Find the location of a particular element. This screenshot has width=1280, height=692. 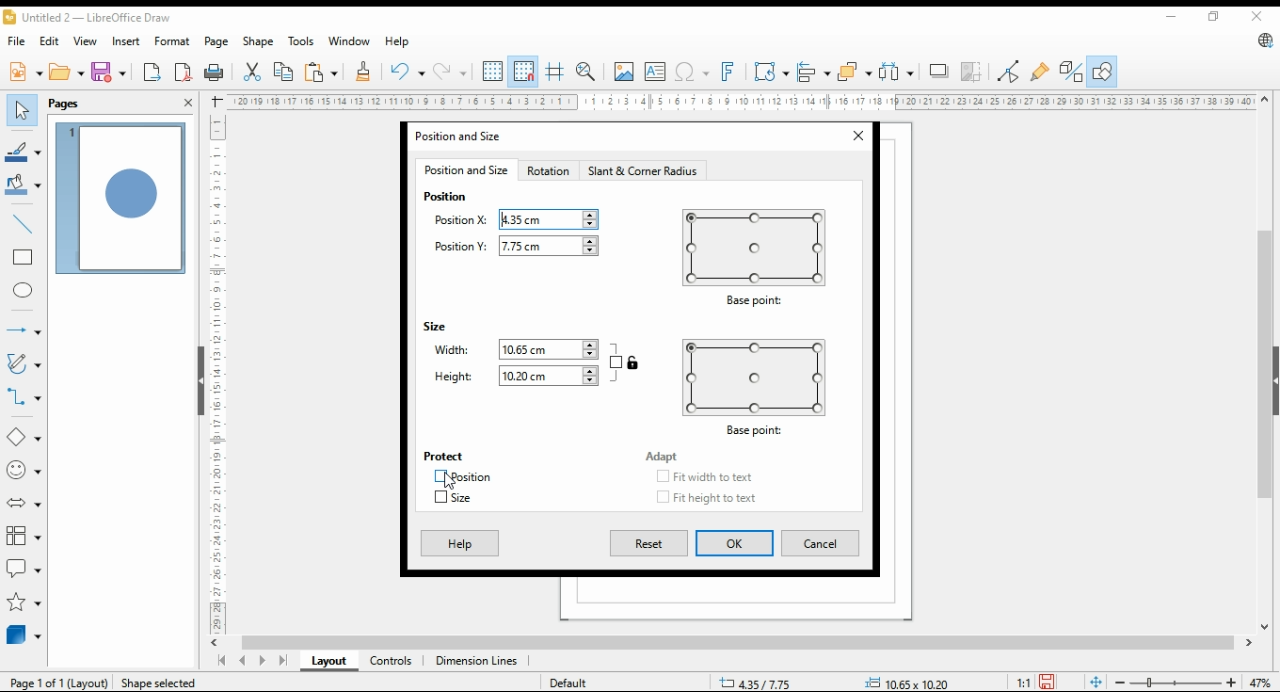

shape is located at coordinates (258, 42).